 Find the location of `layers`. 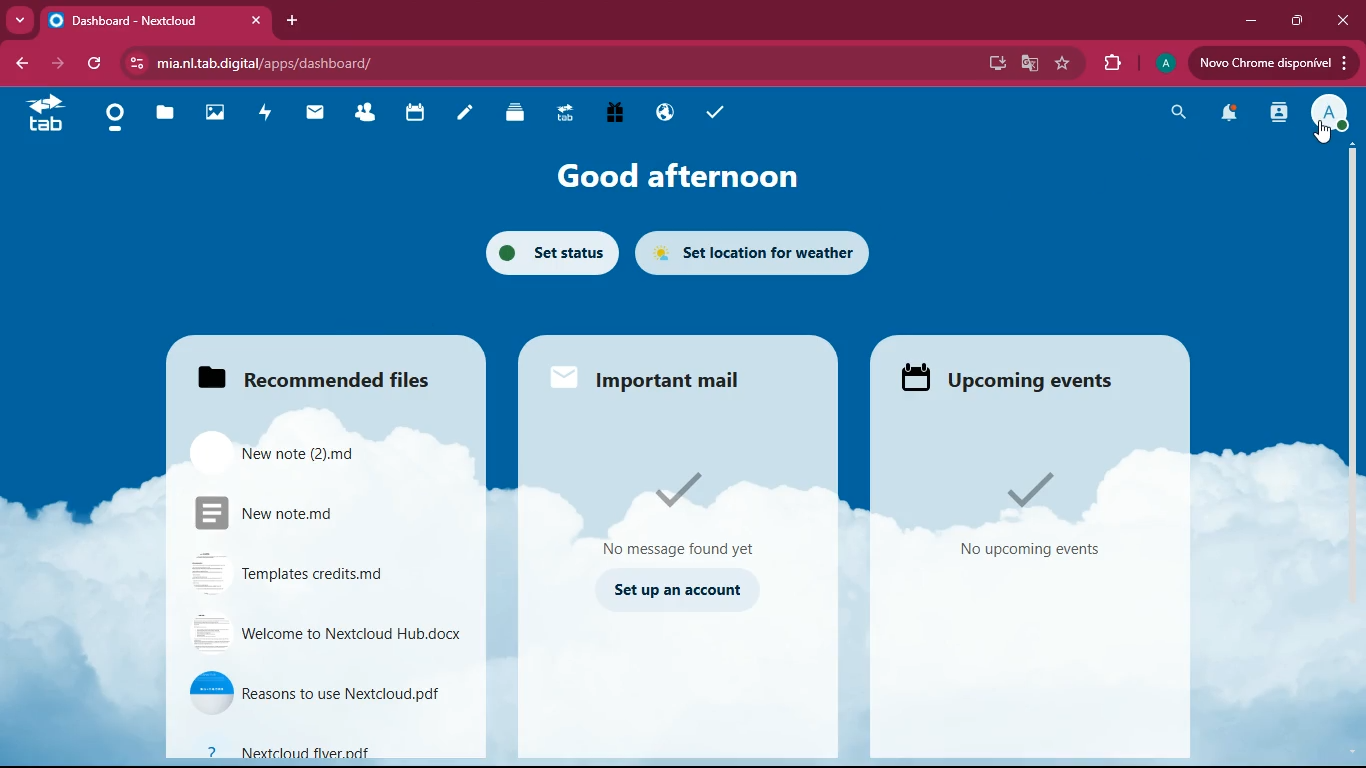

layers is located at coordinates (521, 114).